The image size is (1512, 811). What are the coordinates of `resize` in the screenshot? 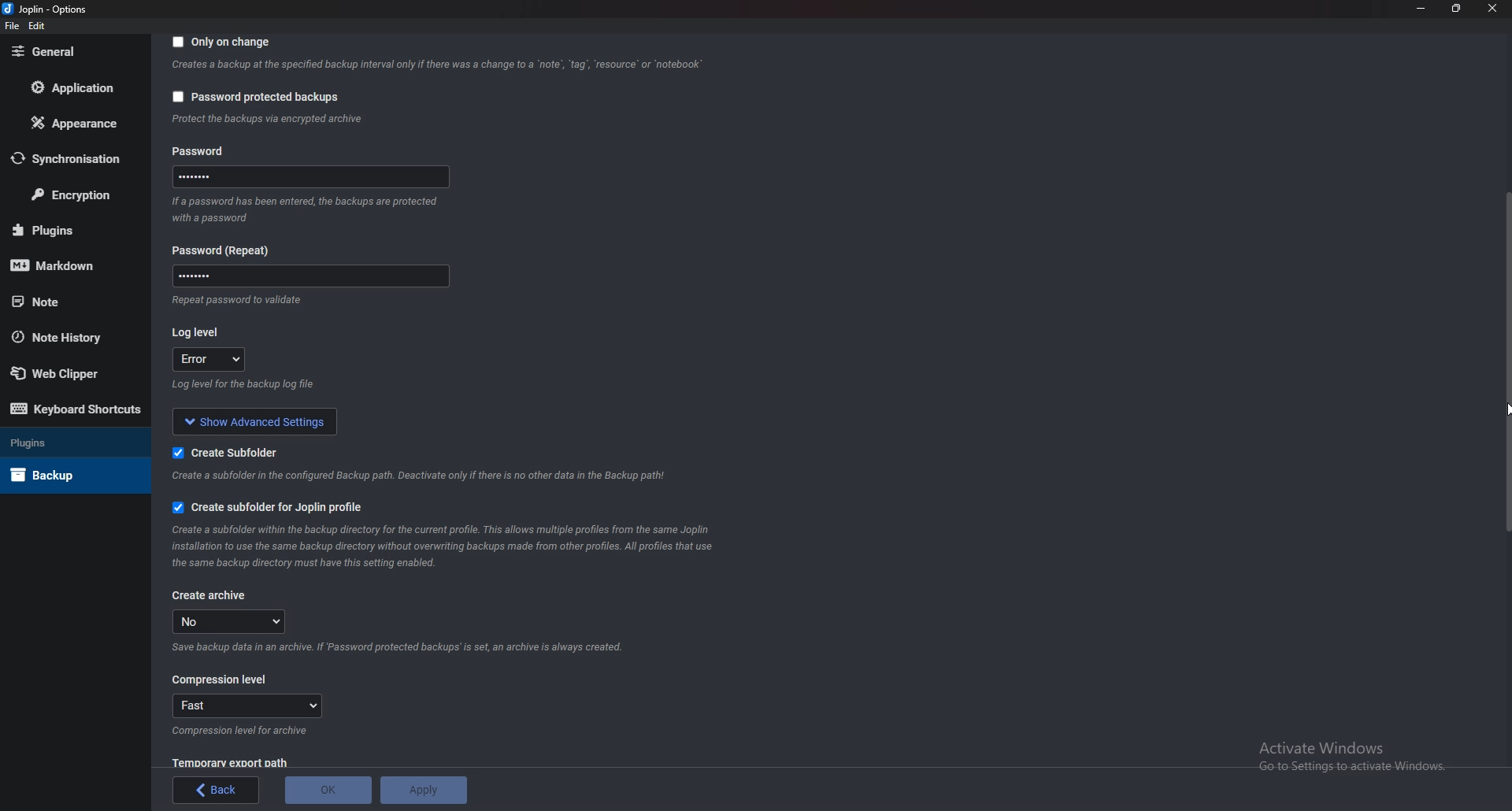 It's located at (1458, 8).